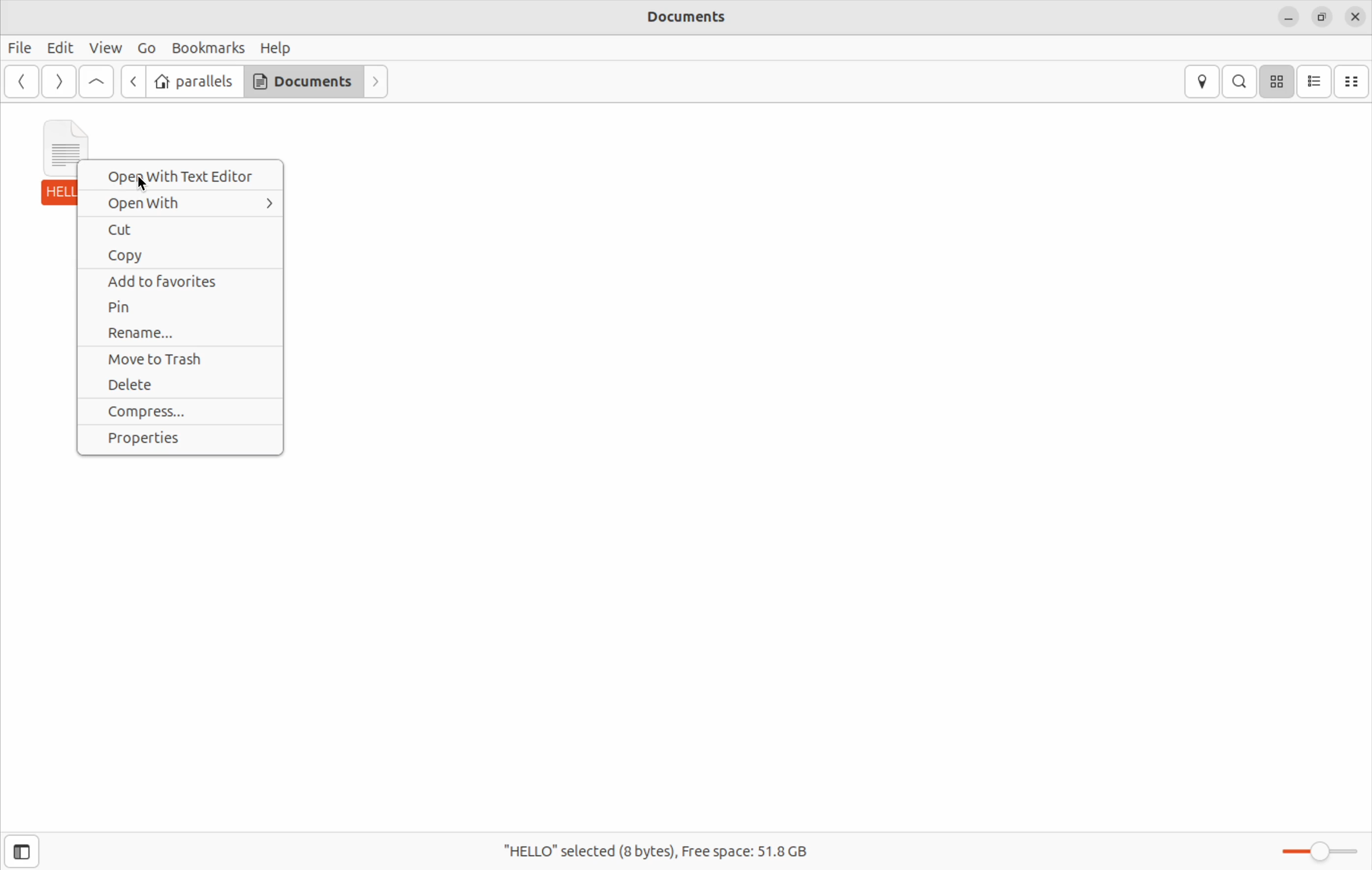  What do you see at coordinates (34, 847) in the screenshot?
I see `Open sidebar` at bounding box center [34, 847].